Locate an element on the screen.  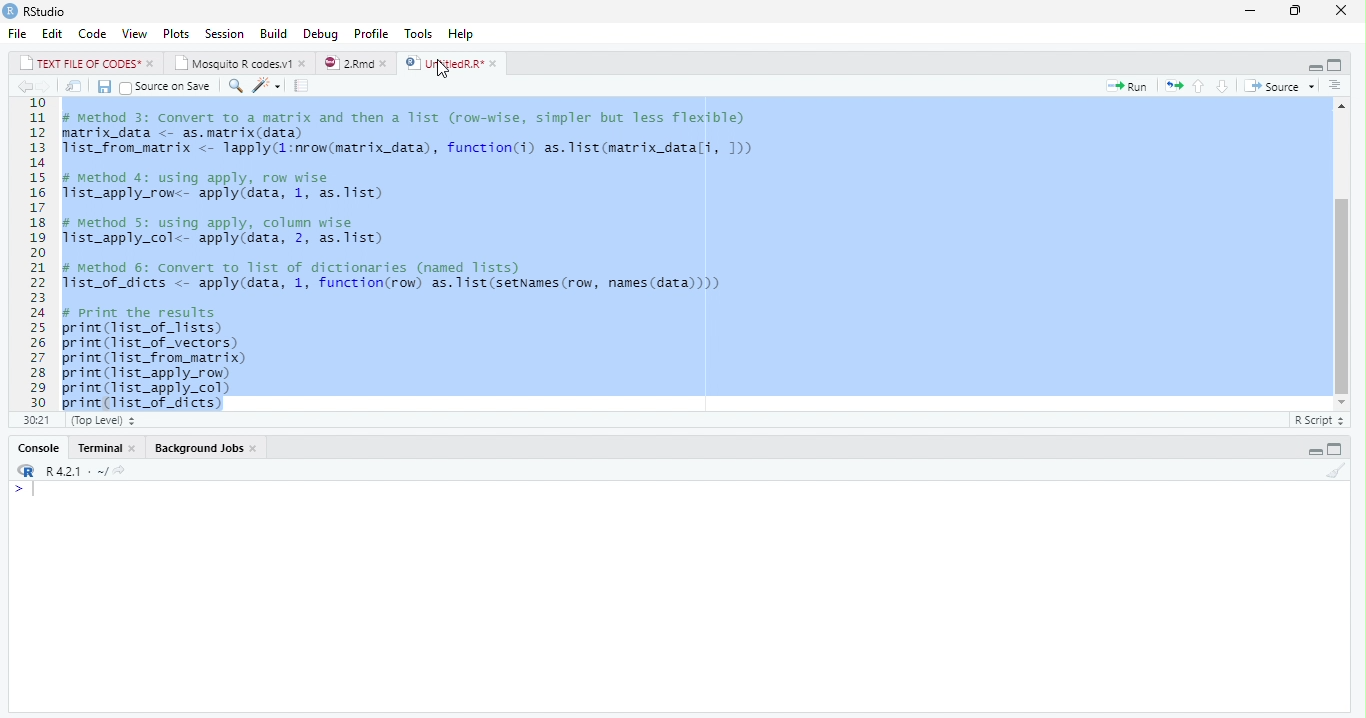
Go to previous location is located at coordinates (23, 88).